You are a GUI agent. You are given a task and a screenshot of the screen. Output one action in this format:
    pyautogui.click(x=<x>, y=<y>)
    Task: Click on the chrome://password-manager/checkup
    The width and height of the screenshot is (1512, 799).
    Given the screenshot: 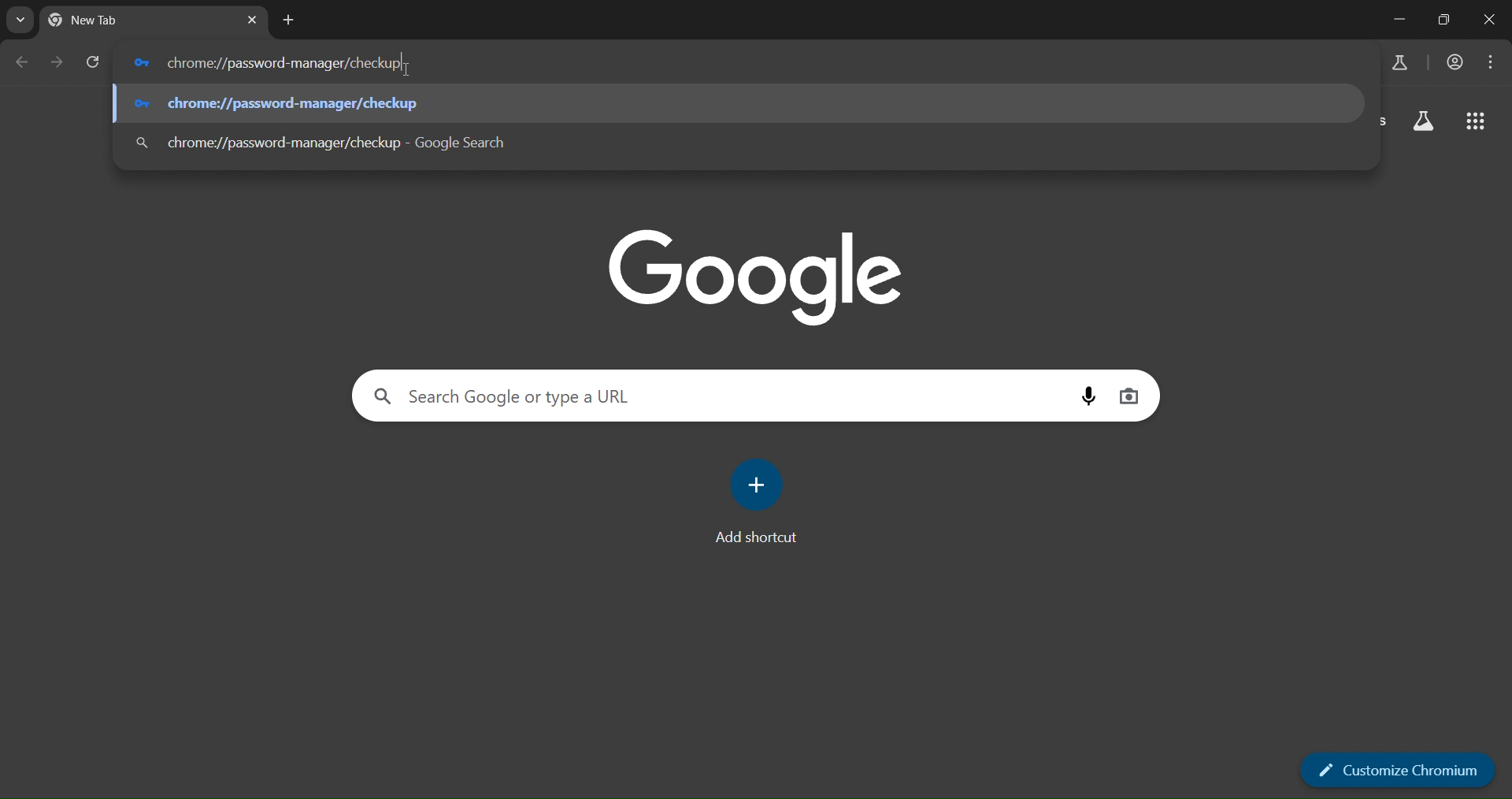 What is the action you would take?
    pyautogui.click(x=348, y=144)
    